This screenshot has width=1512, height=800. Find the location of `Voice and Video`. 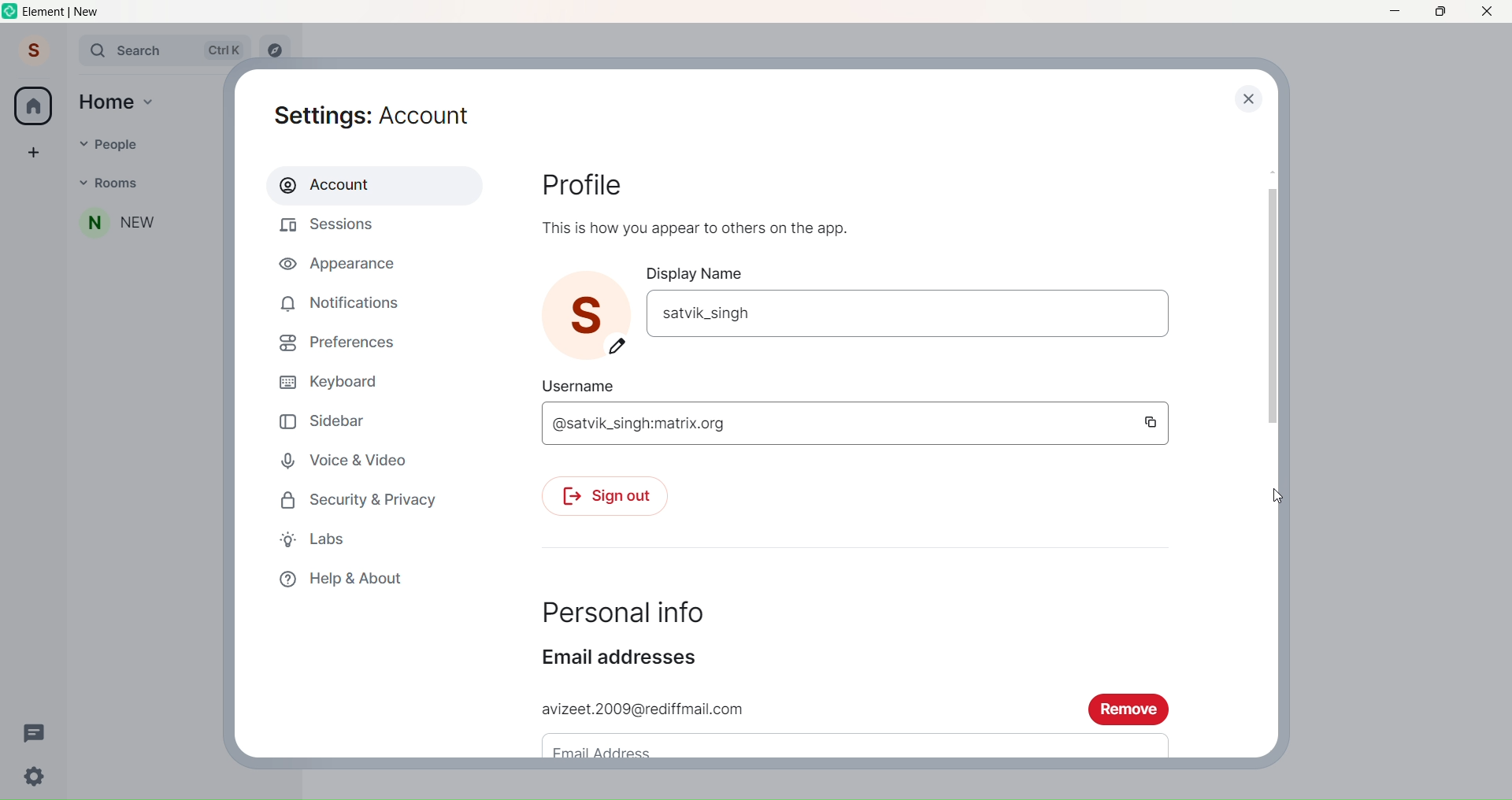

Voice and Video is located at coordinates (348, 457).